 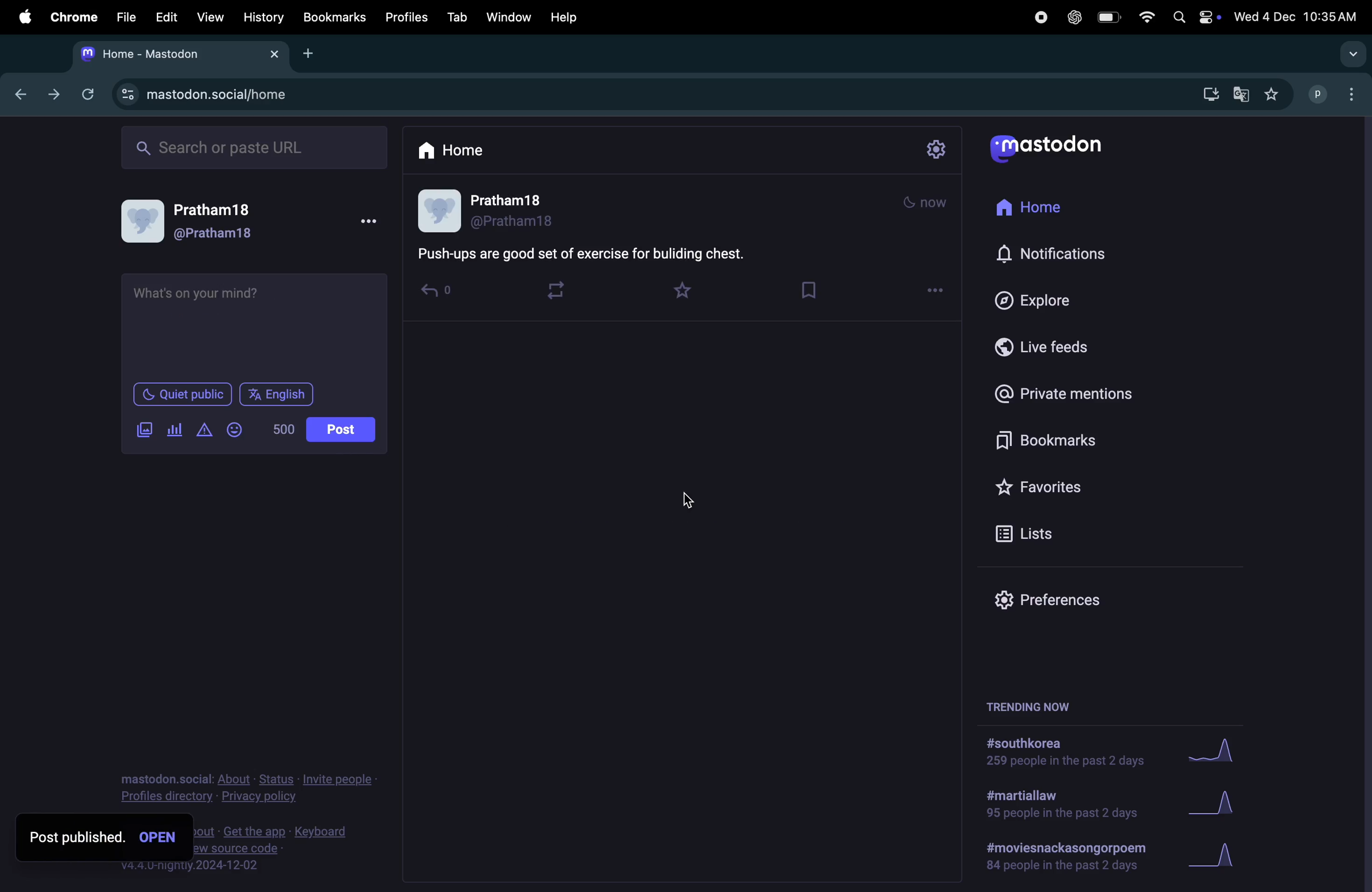 I want to click on window, so click(x=513, y=16).